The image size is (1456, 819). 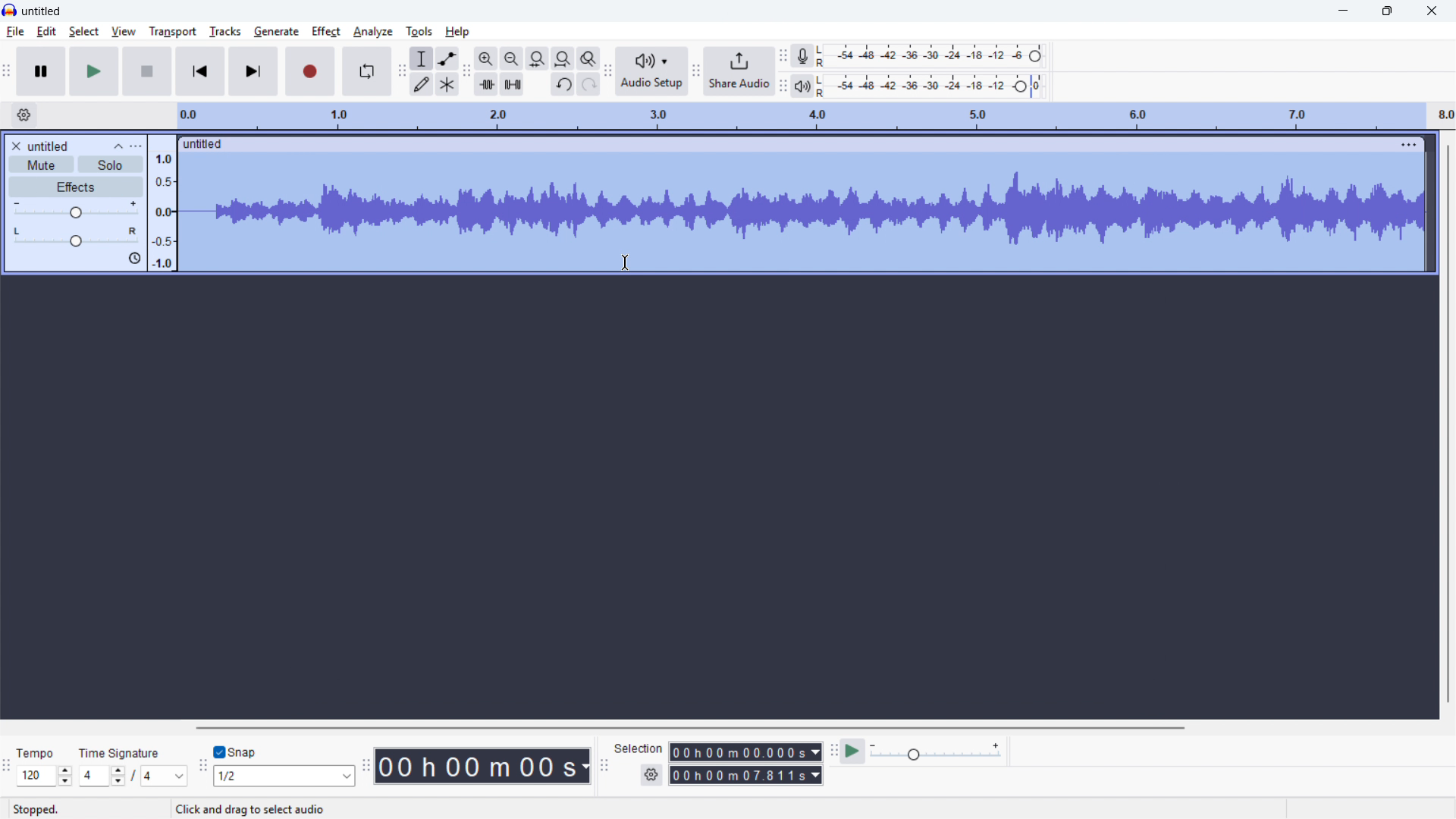 I want to click on Recording level , so click(x=929, y=55).